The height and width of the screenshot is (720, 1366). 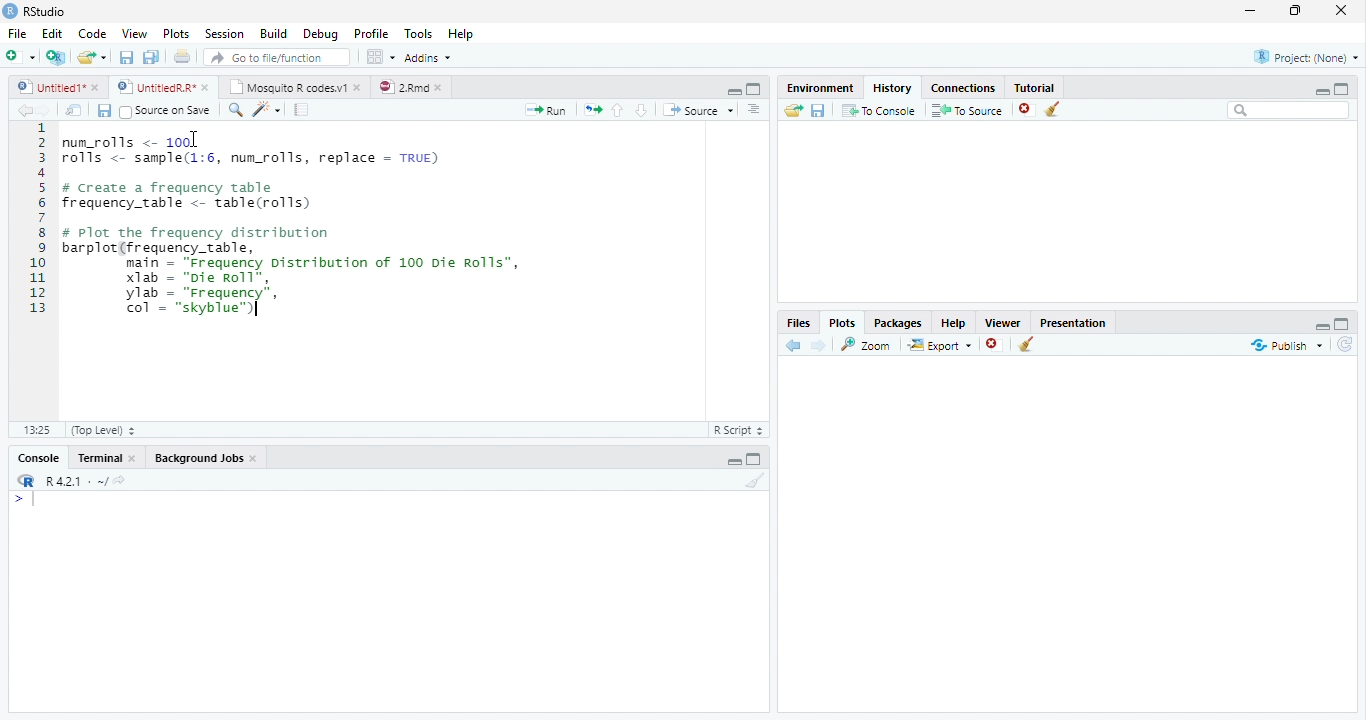 What do you see at coordinates (20, 56) in the screenshot?
I see `New File` at bounding box center [20, 56].